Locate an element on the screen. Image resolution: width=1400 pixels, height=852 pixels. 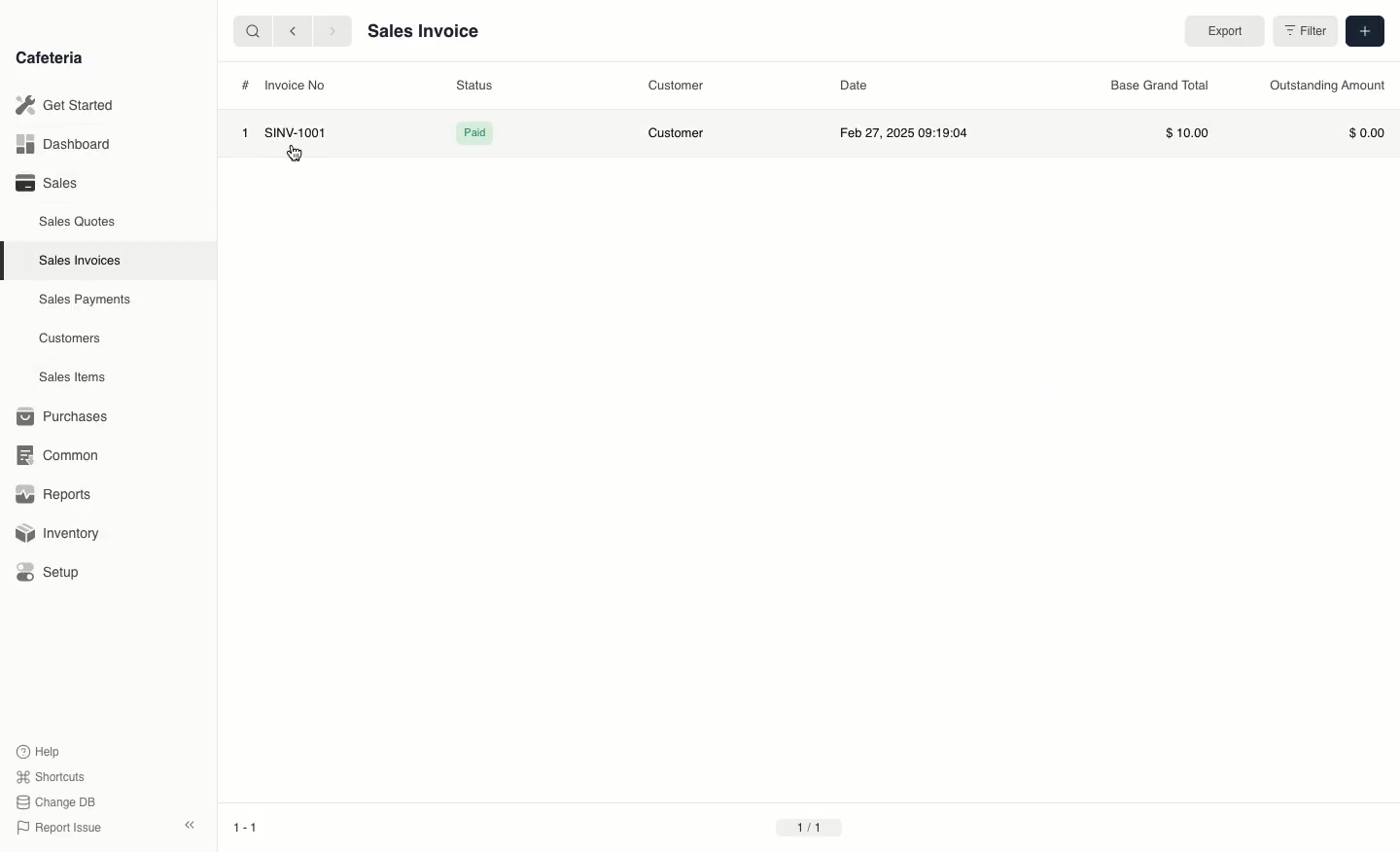
Customer is located at coordinates (679, 133).